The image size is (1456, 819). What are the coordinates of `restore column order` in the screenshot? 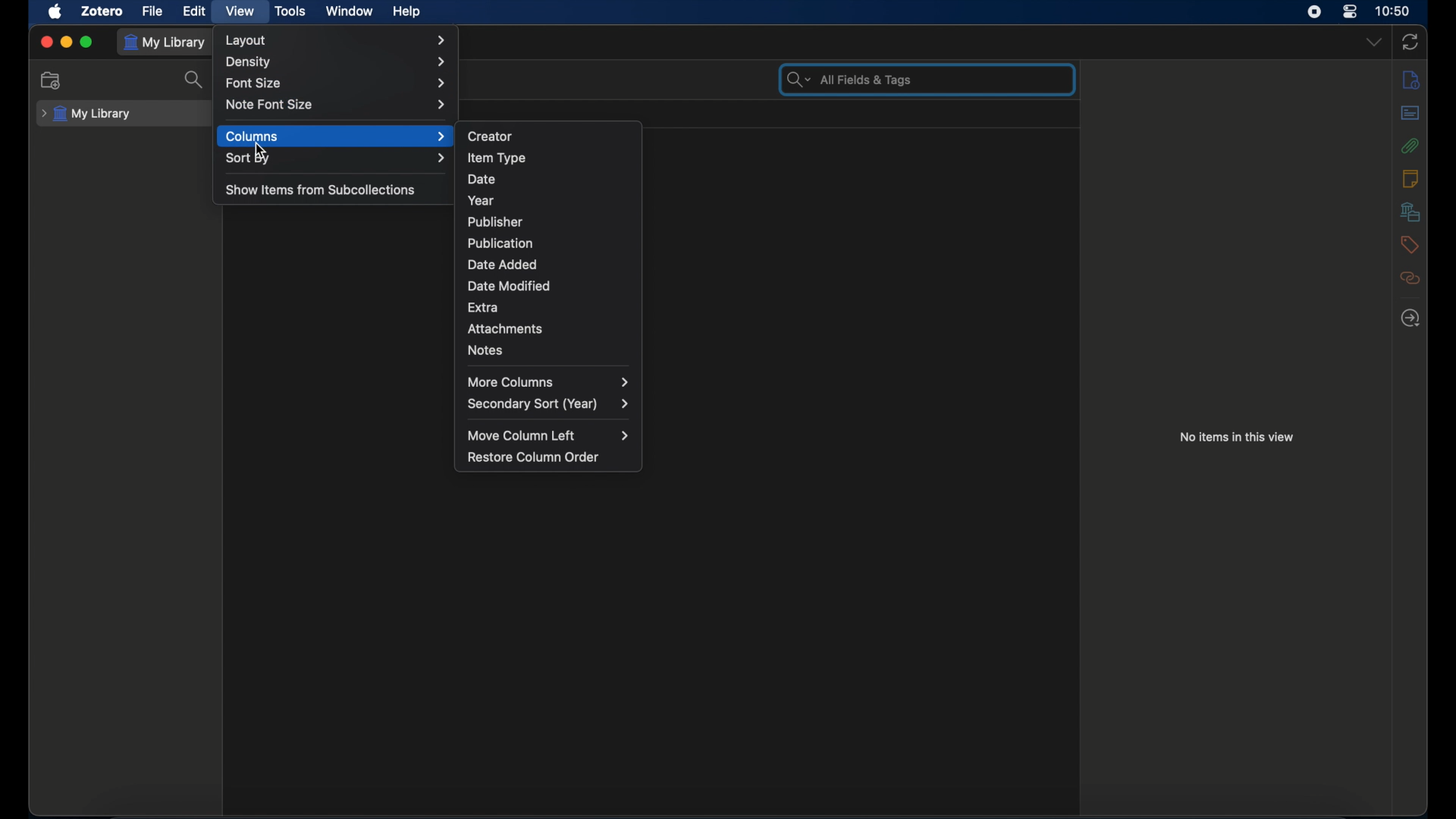 It's located at (534, 457).